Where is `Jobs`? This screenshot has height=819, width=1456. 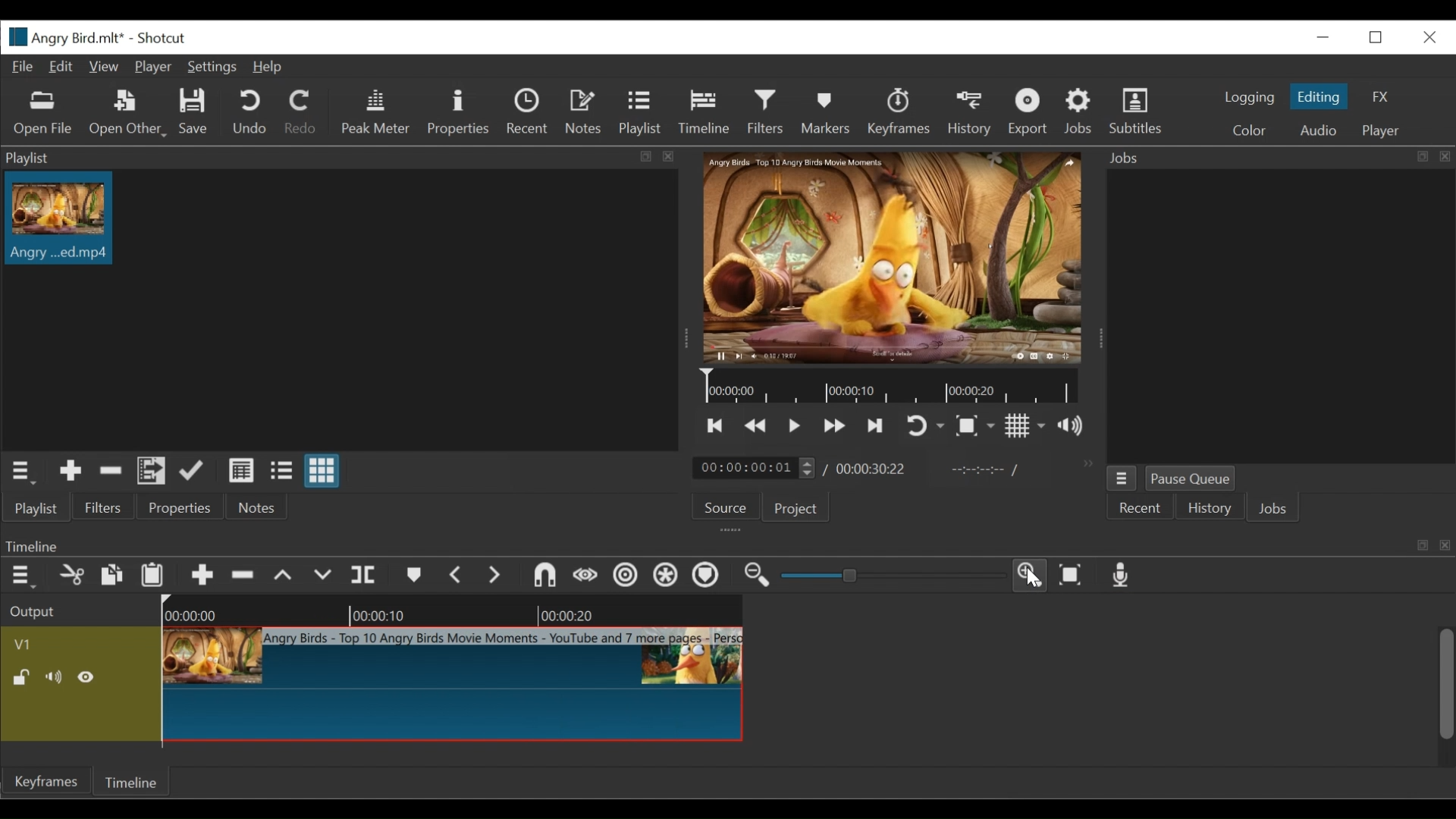
Jobs is located at coordinates (1081, 111).